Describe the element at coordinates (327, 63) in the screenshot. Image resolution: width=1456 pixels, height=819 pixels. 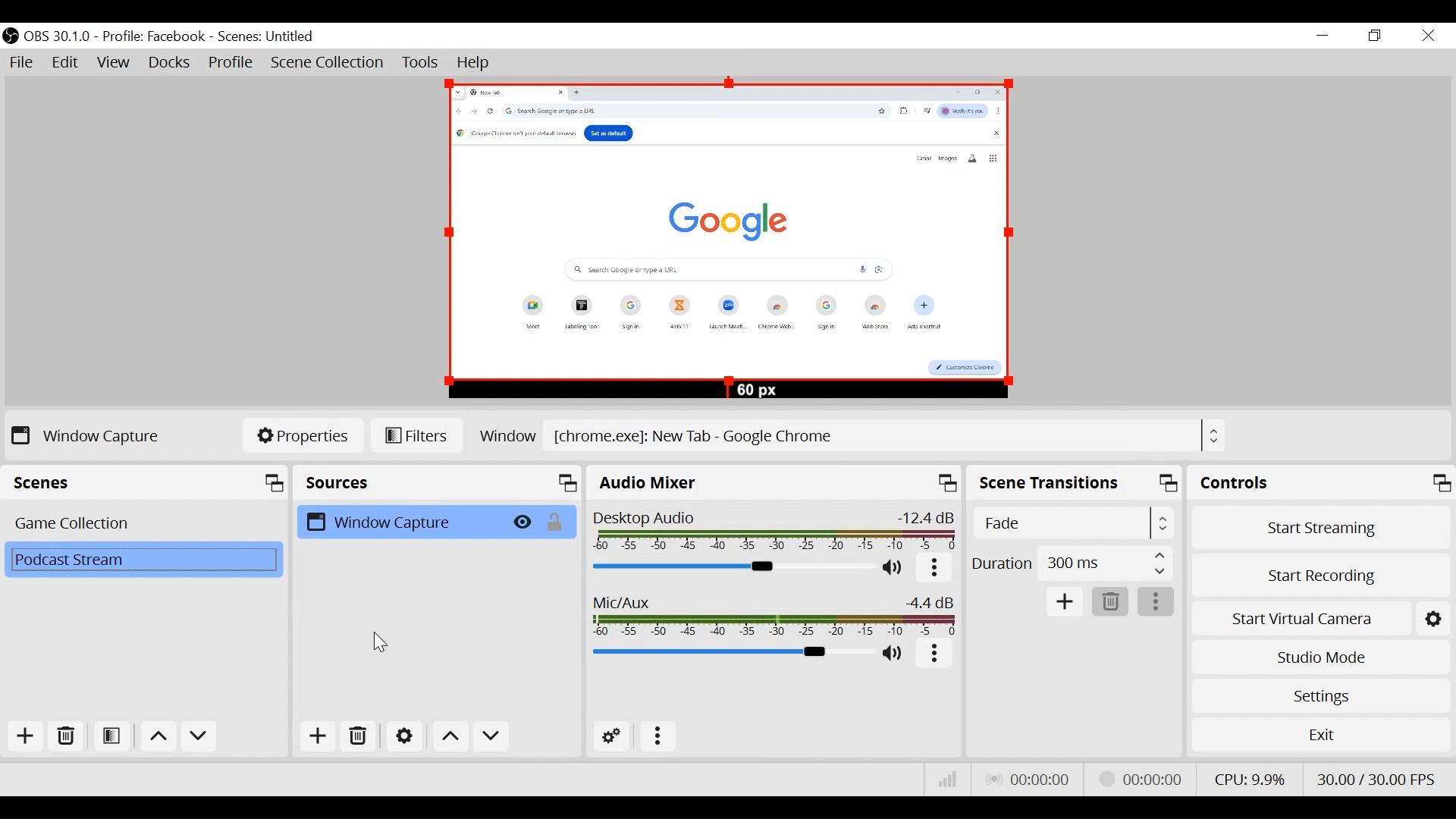
I see `Scene Collection` at that location.